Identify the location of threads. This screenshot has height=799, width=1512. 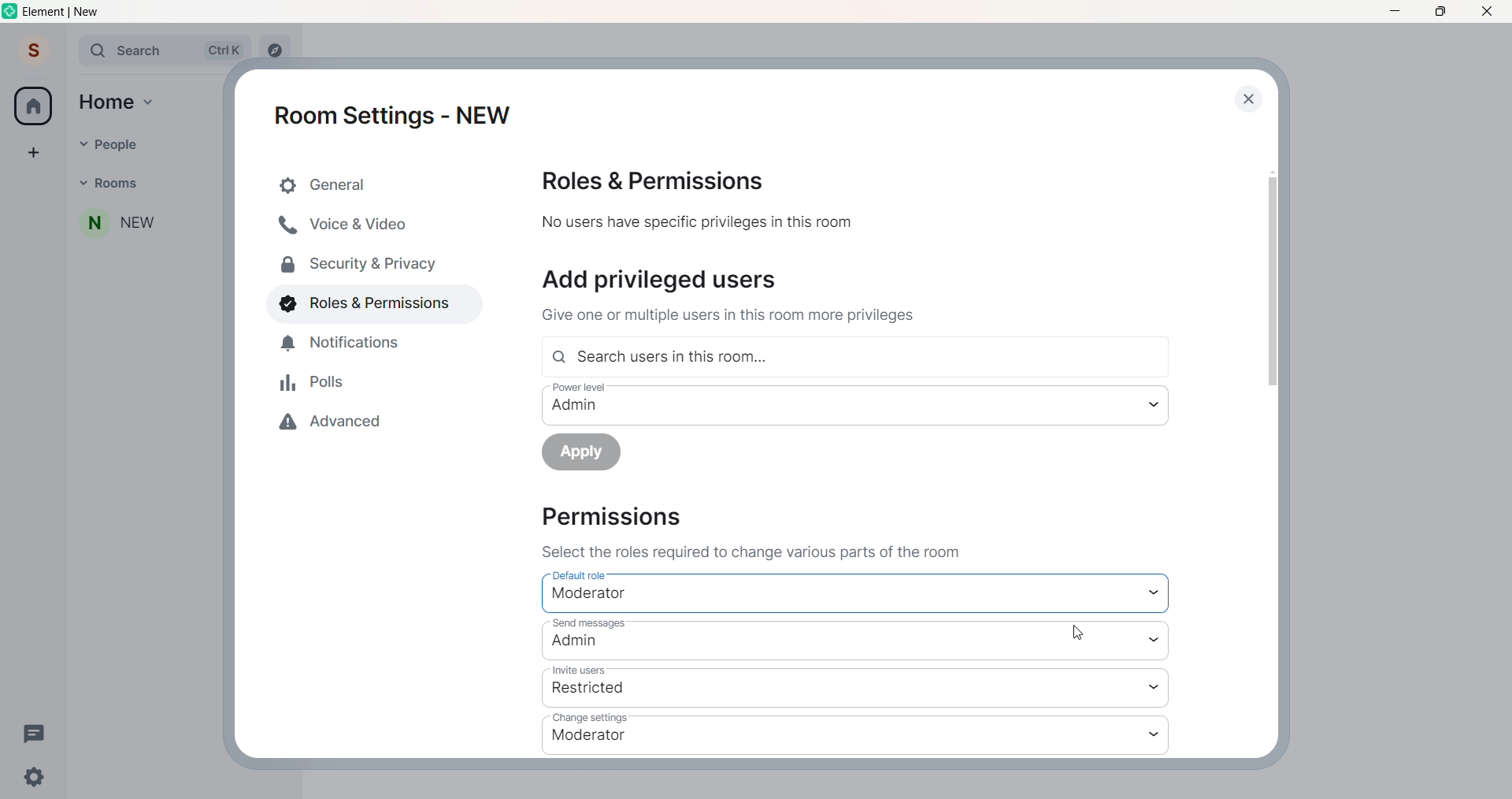
(39, 736).